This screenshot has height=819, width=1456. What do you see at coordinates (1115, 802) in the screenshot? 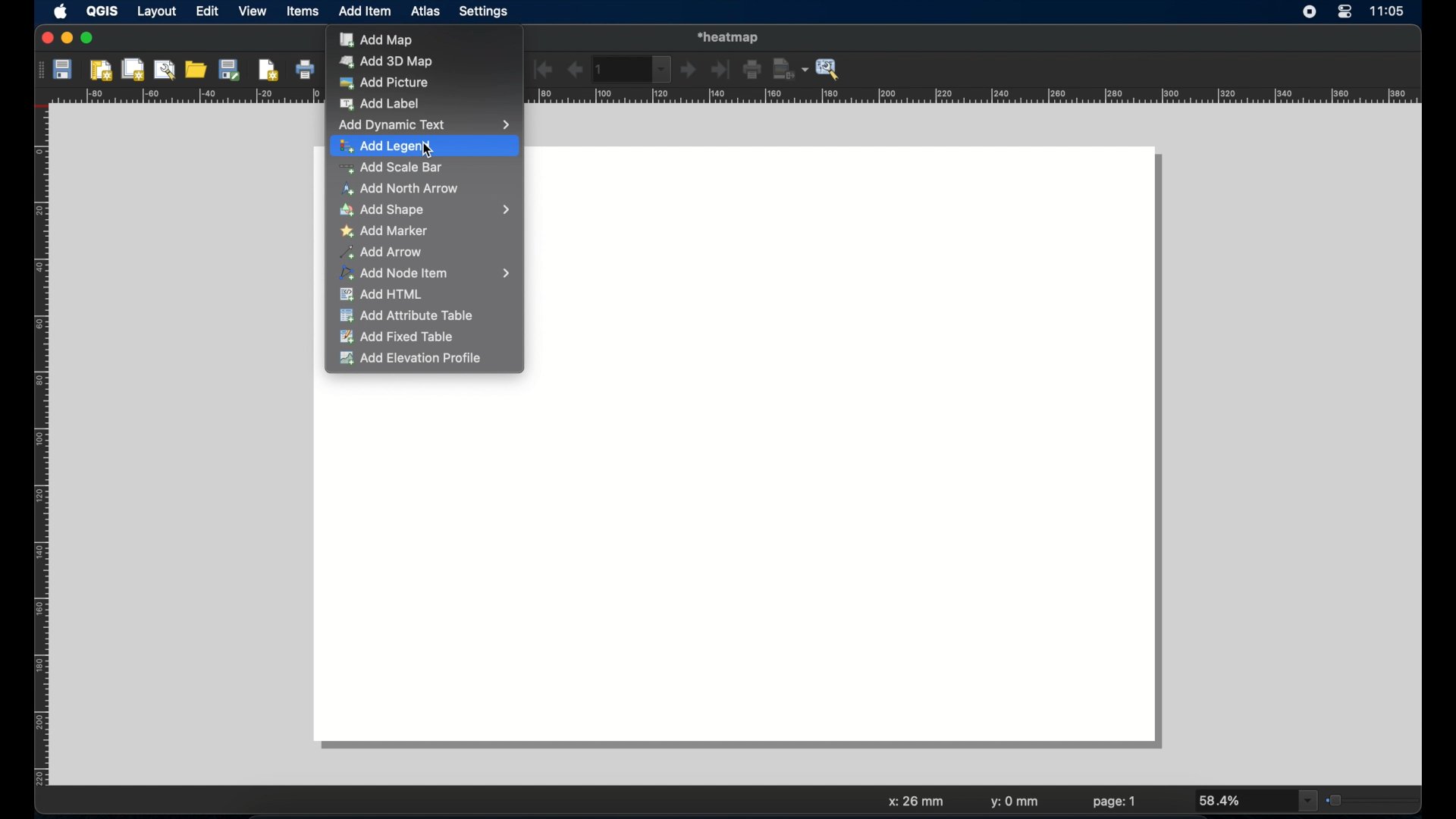
I see `page: 1` at bounding box center [1115, 802].